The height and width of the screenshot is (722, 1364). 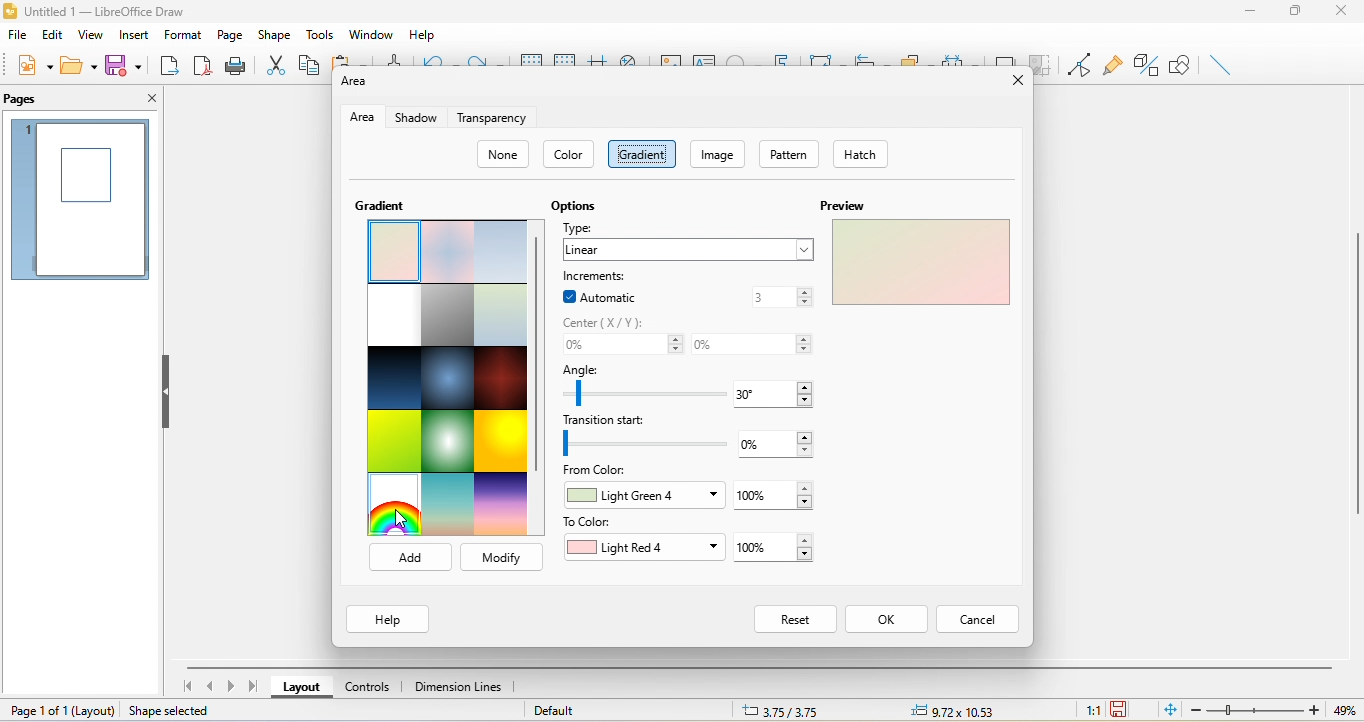 I want to click on 3, so click(x=780, y=296).